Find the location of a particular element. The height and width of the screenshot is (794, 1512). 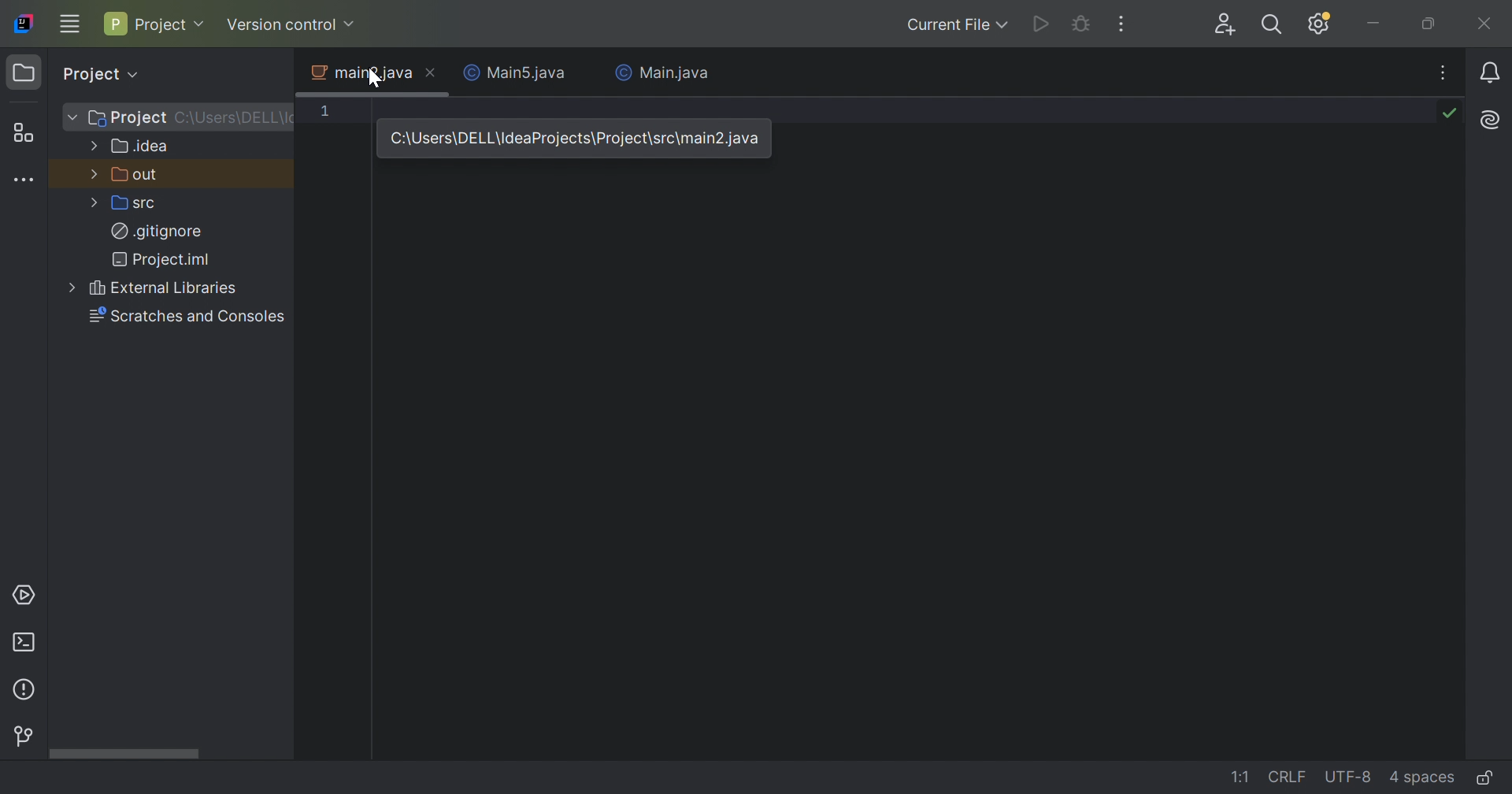

.gitignore is located at coordinates (156, 231).